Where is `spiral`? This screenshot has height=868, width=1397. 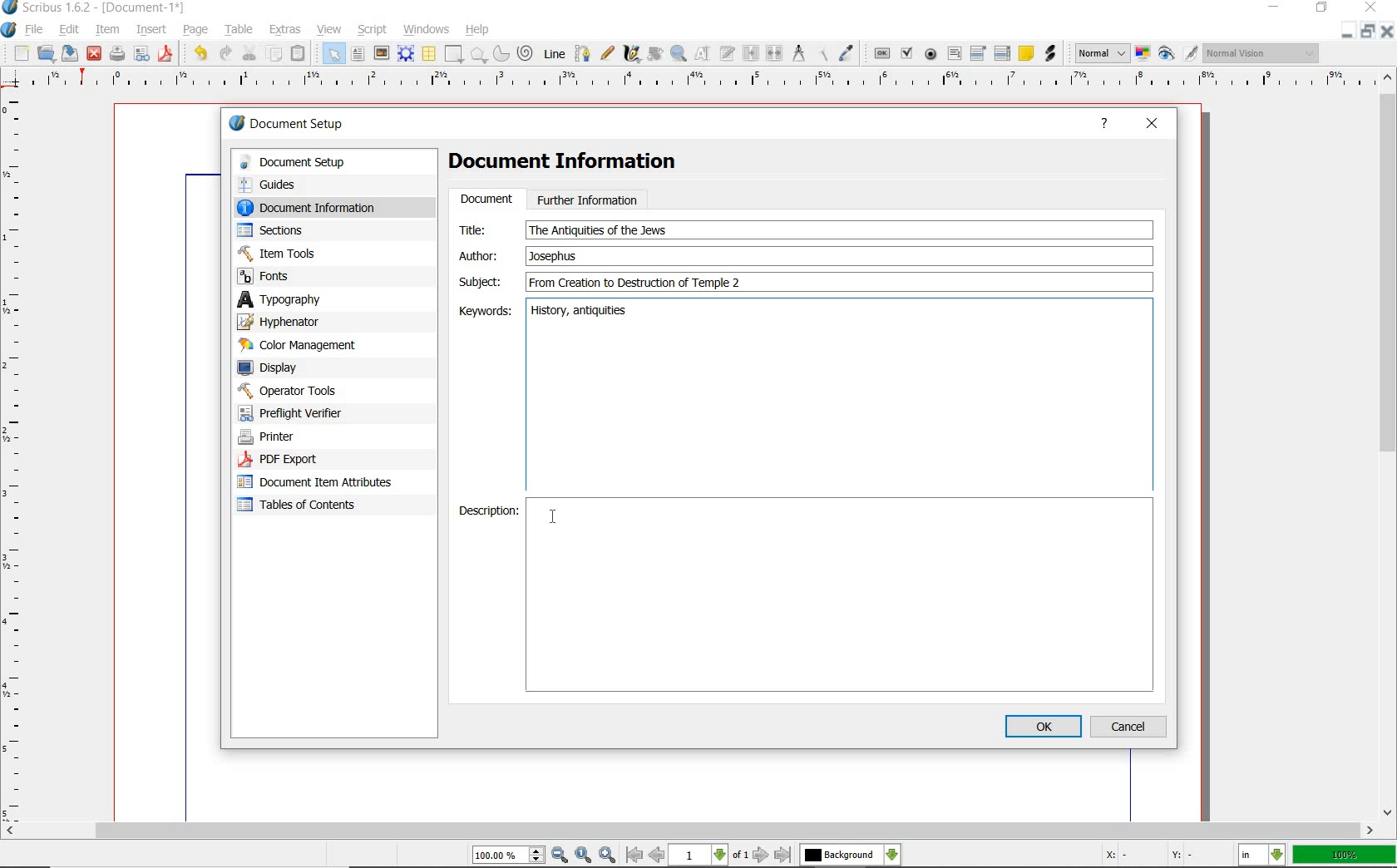
spiral is located at coordinates (527, 52).